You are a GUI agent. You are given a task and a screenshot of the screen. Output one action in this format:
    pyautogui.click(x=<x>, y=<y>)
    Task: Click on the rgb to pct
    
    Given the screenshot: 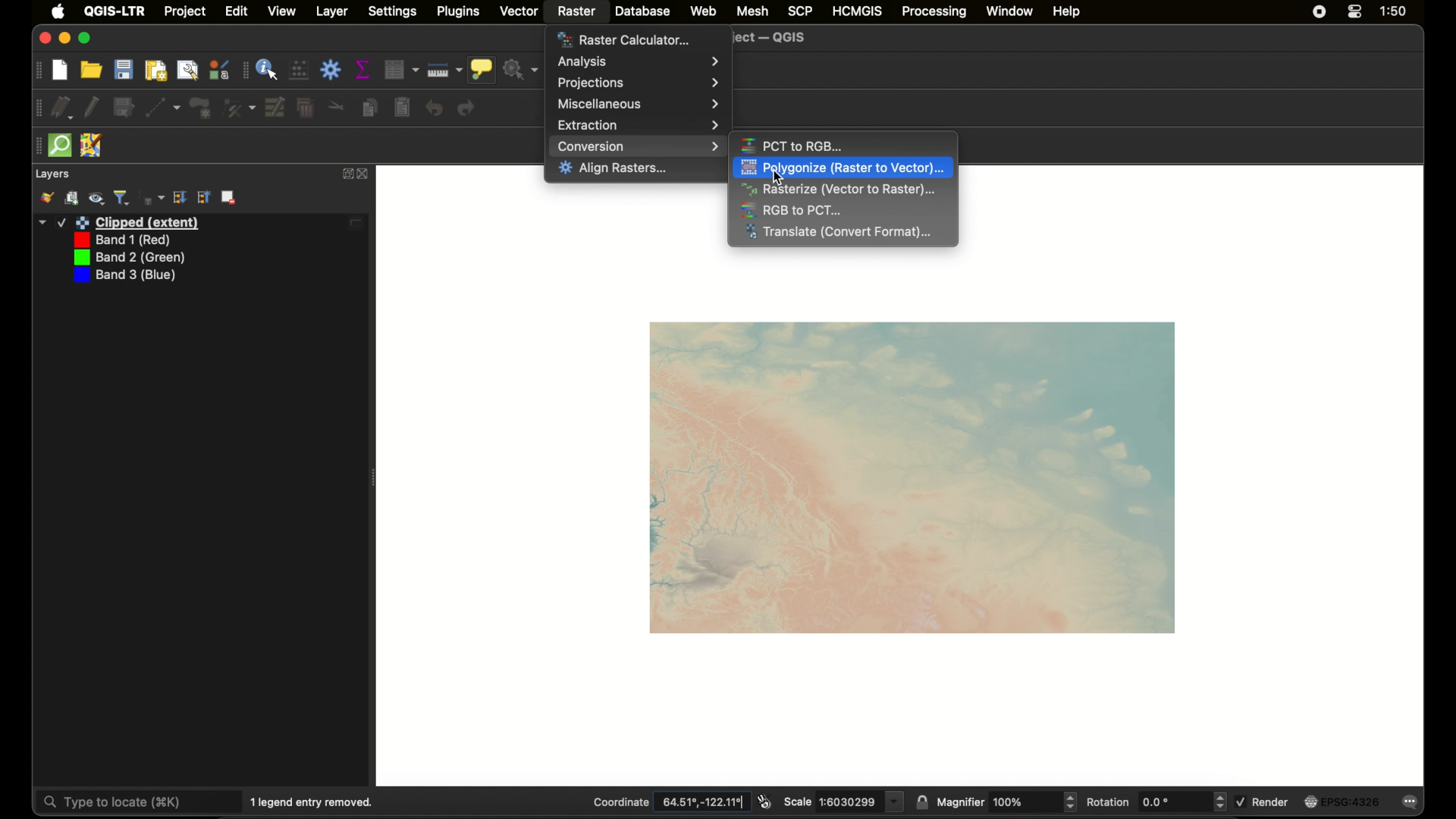 What is the action you would take?
    pyautogui.click(x=792, y=210)
    